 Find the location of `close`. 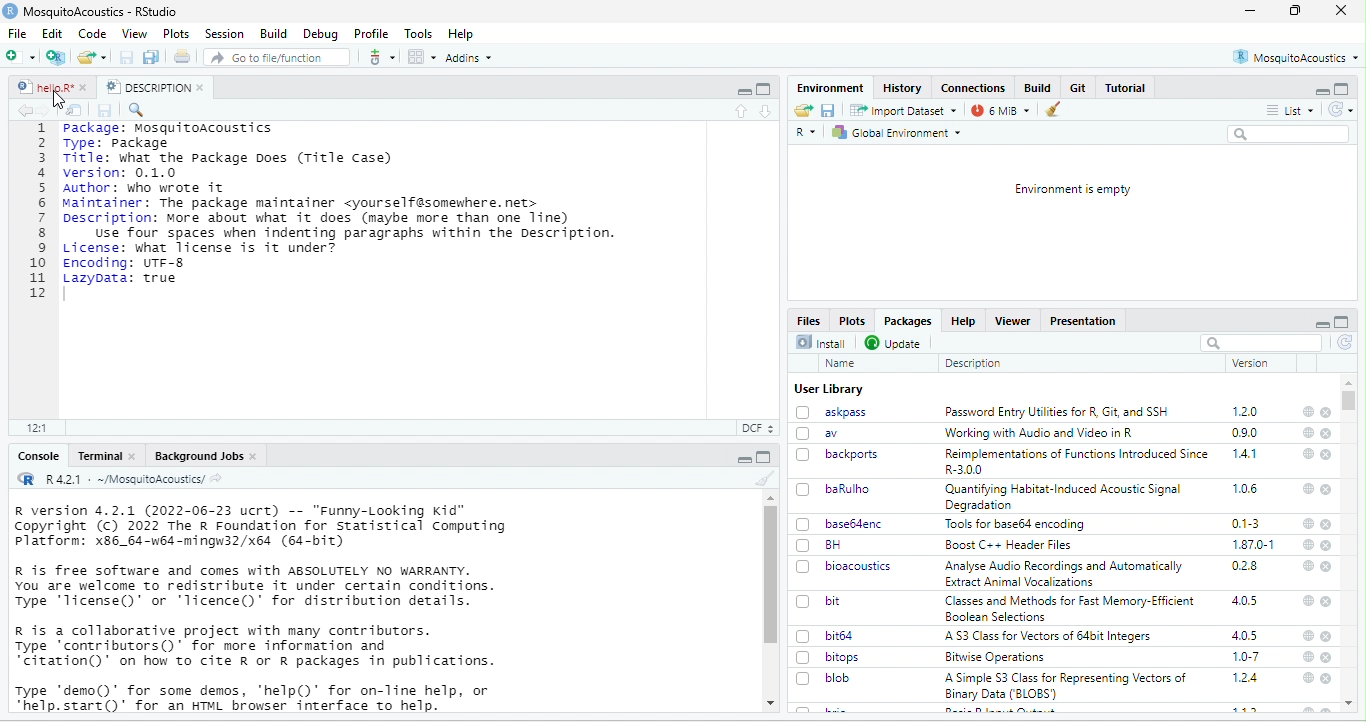

close is located at coordinates (1327, 455).